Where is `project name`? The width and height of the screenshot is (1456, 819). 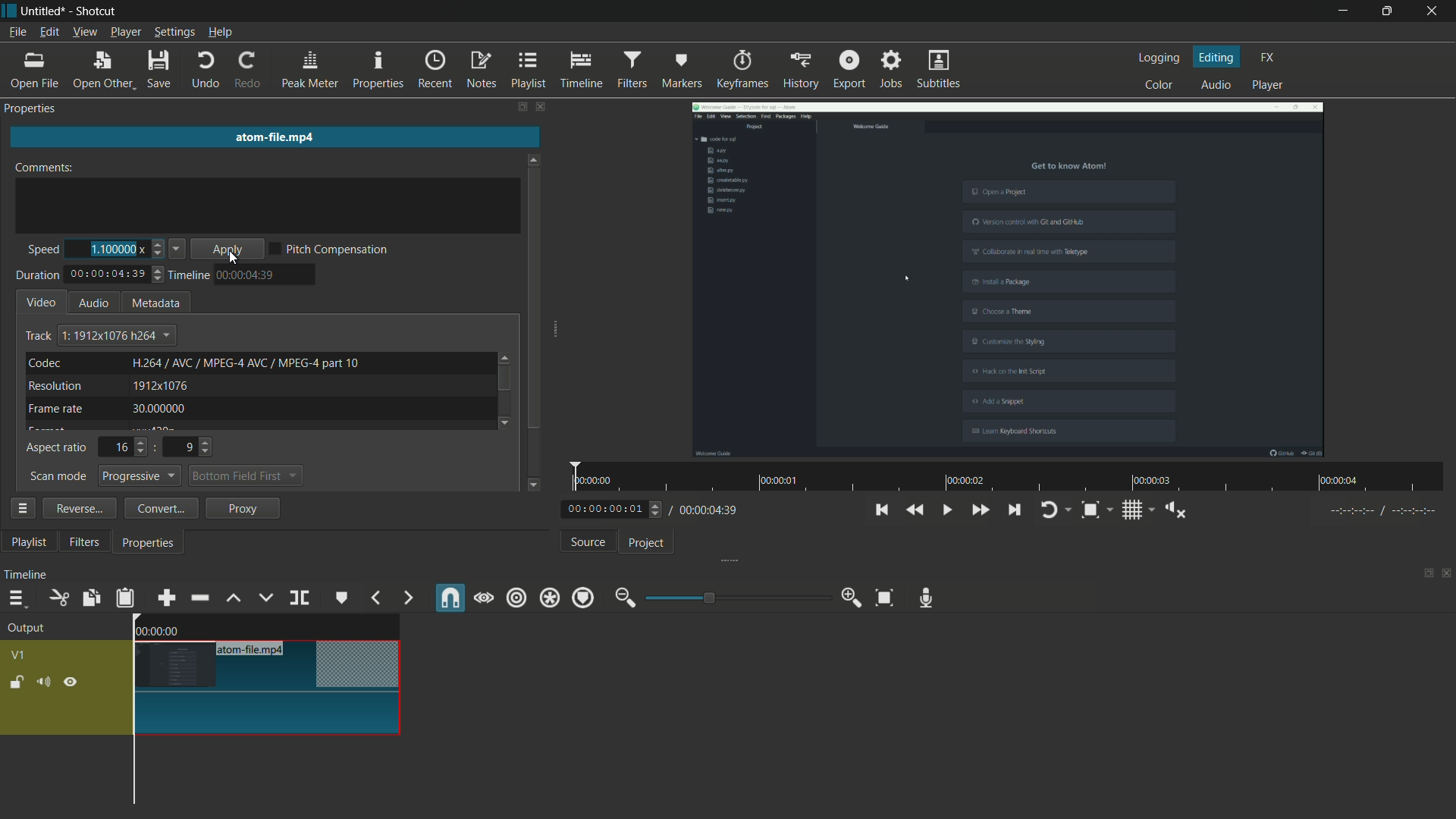
project name is located at coordinates (44, 11).